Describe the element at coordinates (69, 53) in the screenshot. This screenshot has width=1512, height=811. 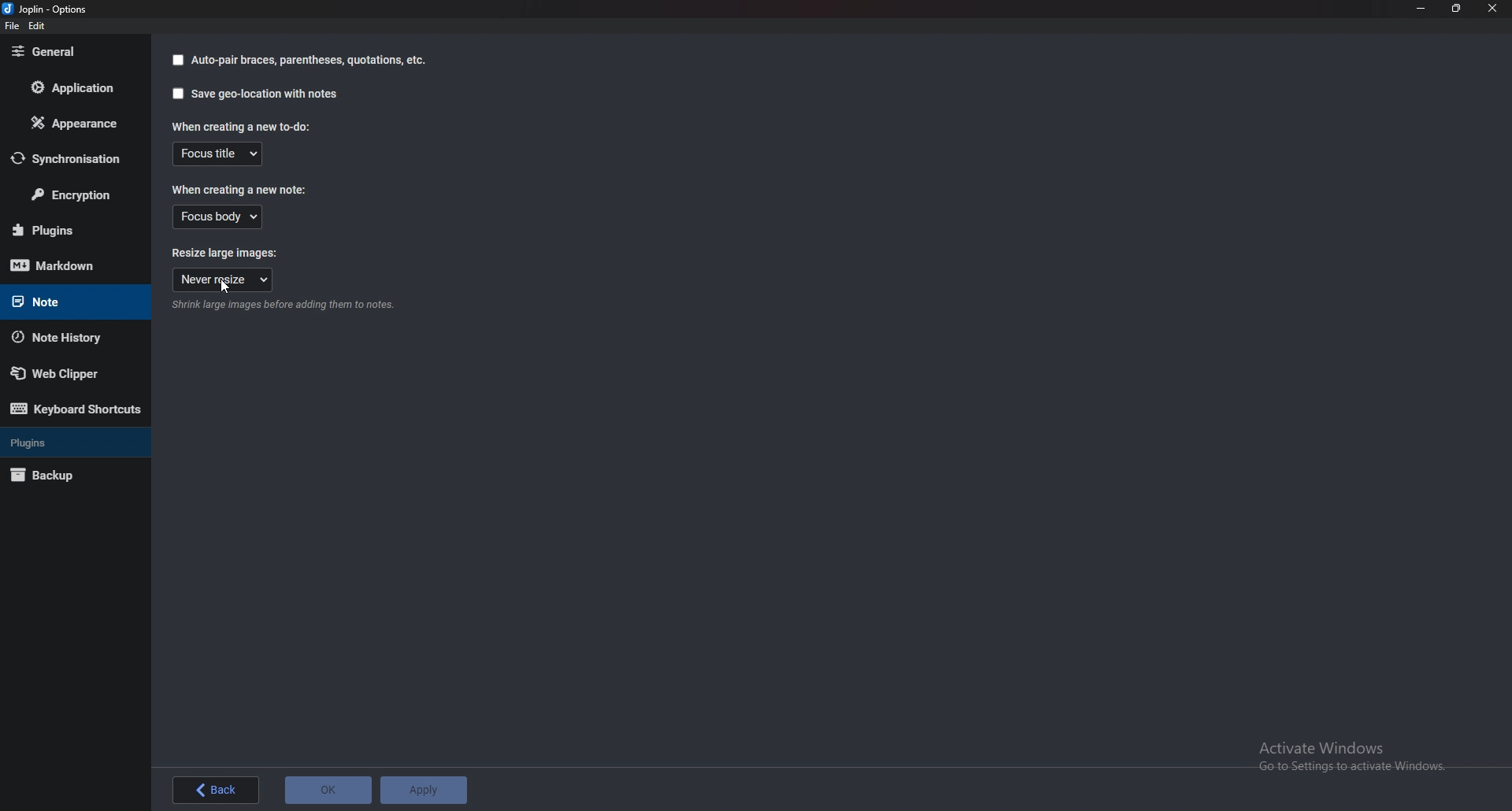
I see `general` at that location.